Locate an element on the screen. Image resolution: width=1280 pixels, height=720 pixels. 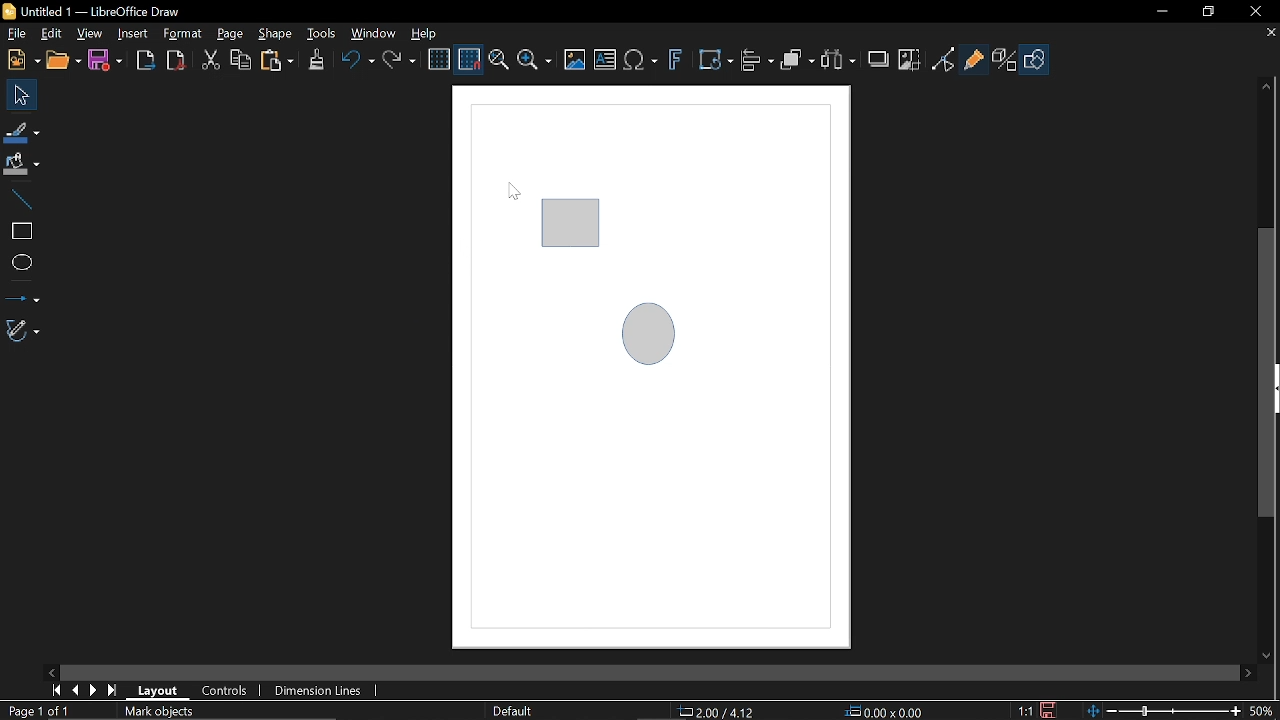
Toggle point of view is located at coordinates (943, 61).